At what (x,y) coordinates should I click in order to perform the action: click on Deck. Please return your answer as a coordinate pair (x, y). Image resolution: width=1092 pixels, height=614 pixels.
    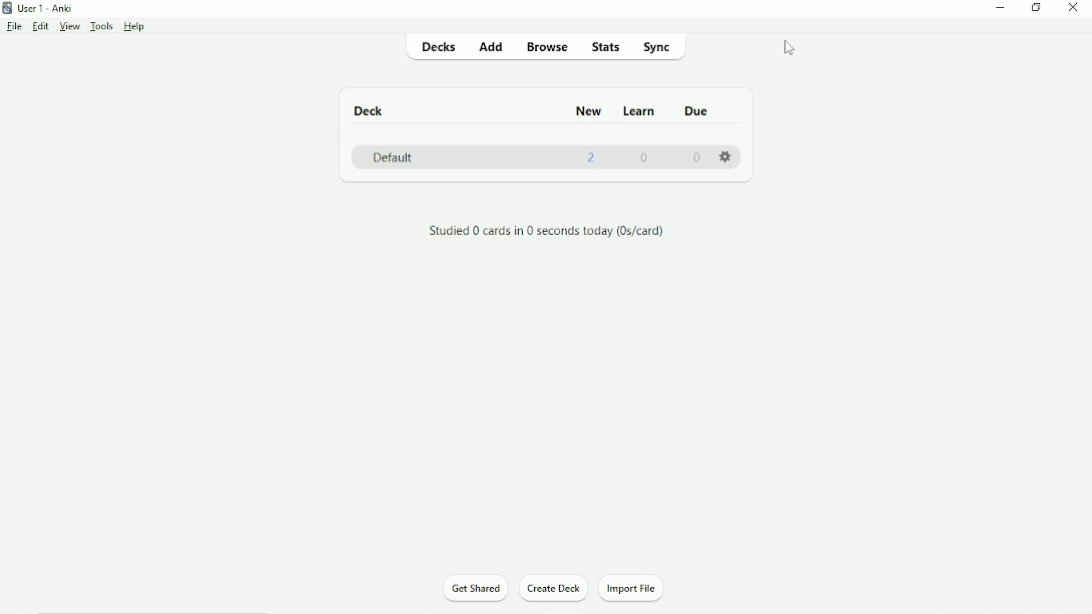
    Looking at the image, I should click on (368, 109).